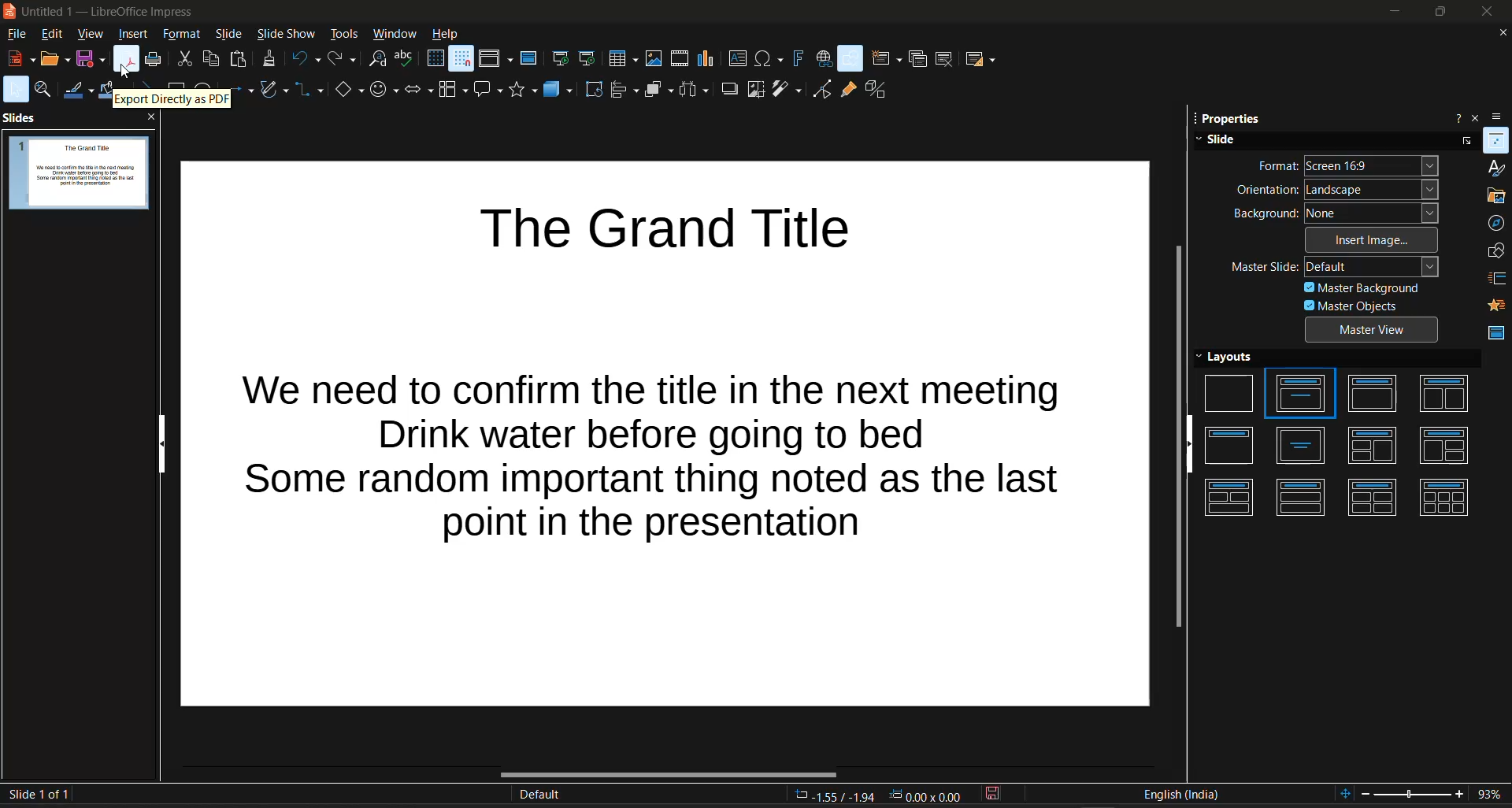 The width and height of the screenshot is (1512, 808). I want to click on rotate, so click(593, 87).